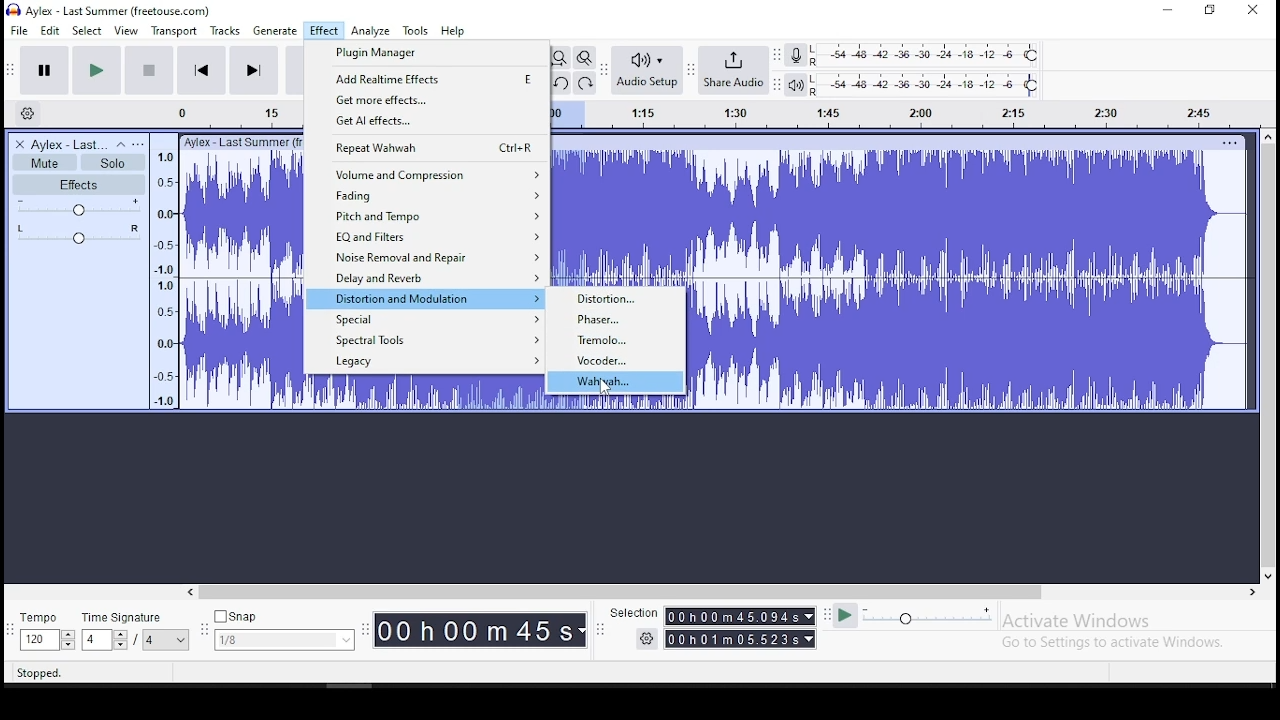 The height and width of the screenshot is (720, 1280). What do you see at coordinates (42, 70) in the screenshot?
I see `pause` at bounding box center [42, 70].